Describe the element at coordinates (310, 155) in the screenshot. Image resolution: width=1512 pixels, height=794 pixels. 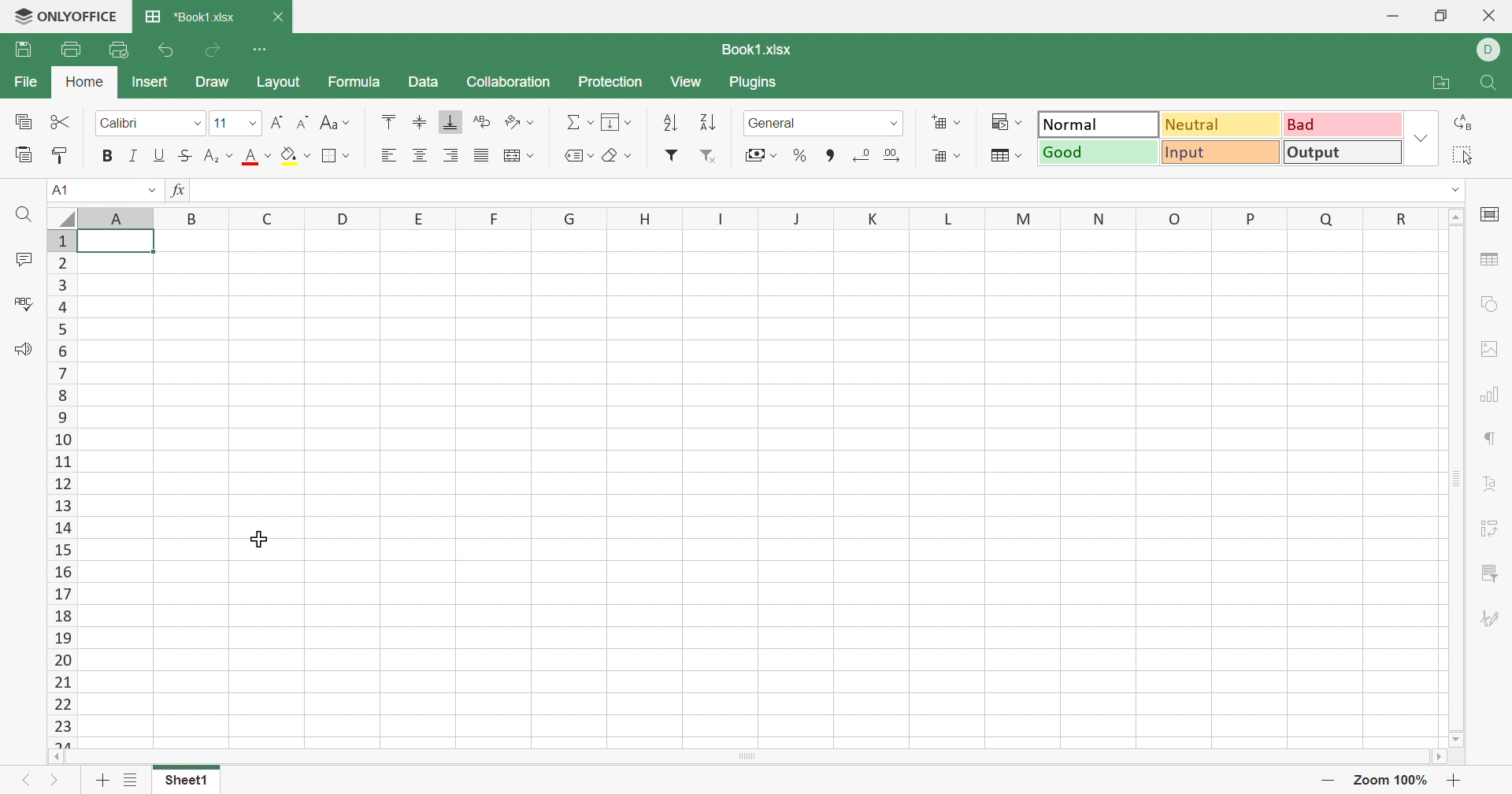
I see `Drop Down` at that location.